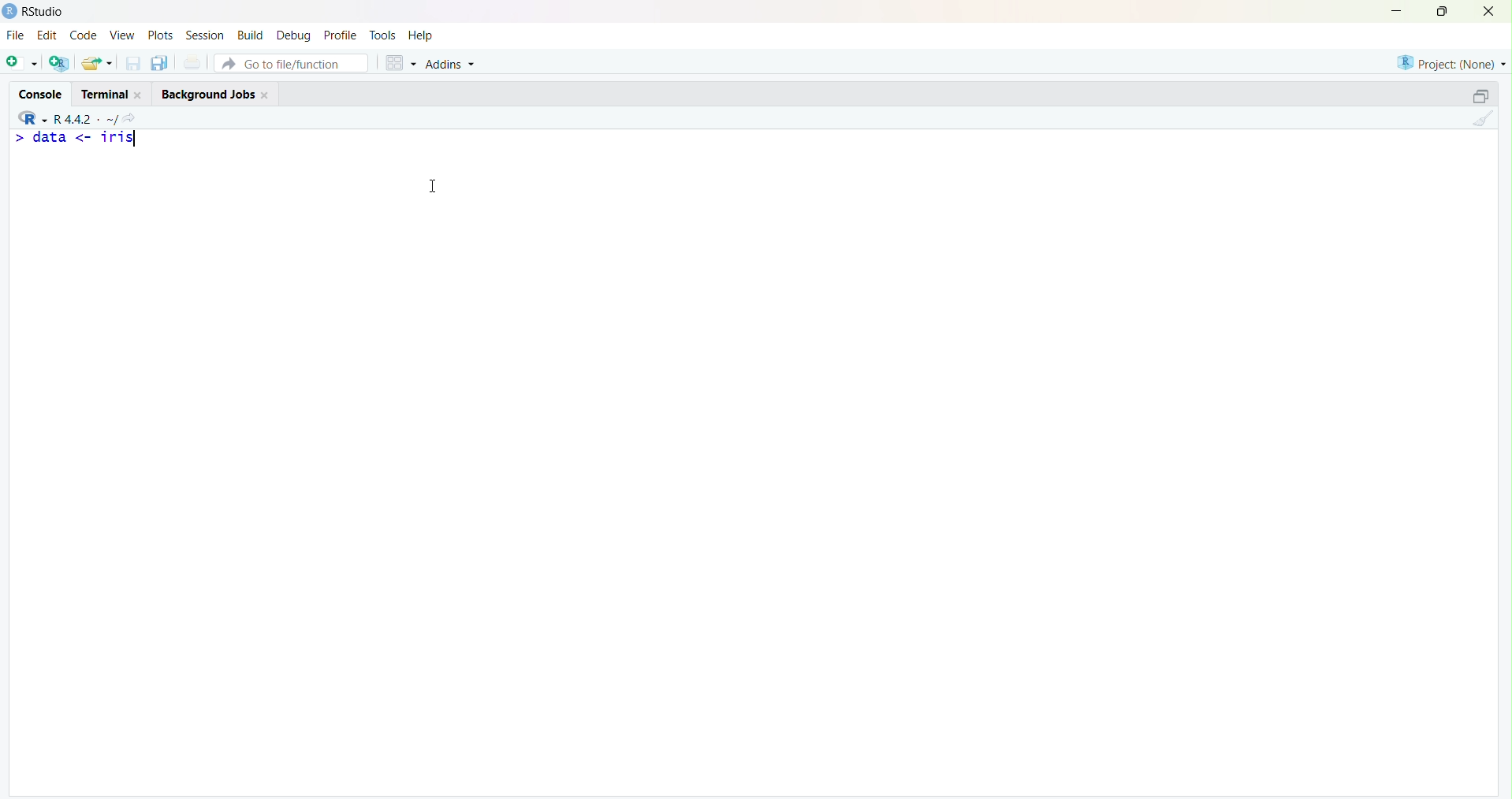 Image resolution: width=1512 pixels, height=799 pixels. I want to click on Save all open documents (Ctrl + Alt + S), so click(158, 61).